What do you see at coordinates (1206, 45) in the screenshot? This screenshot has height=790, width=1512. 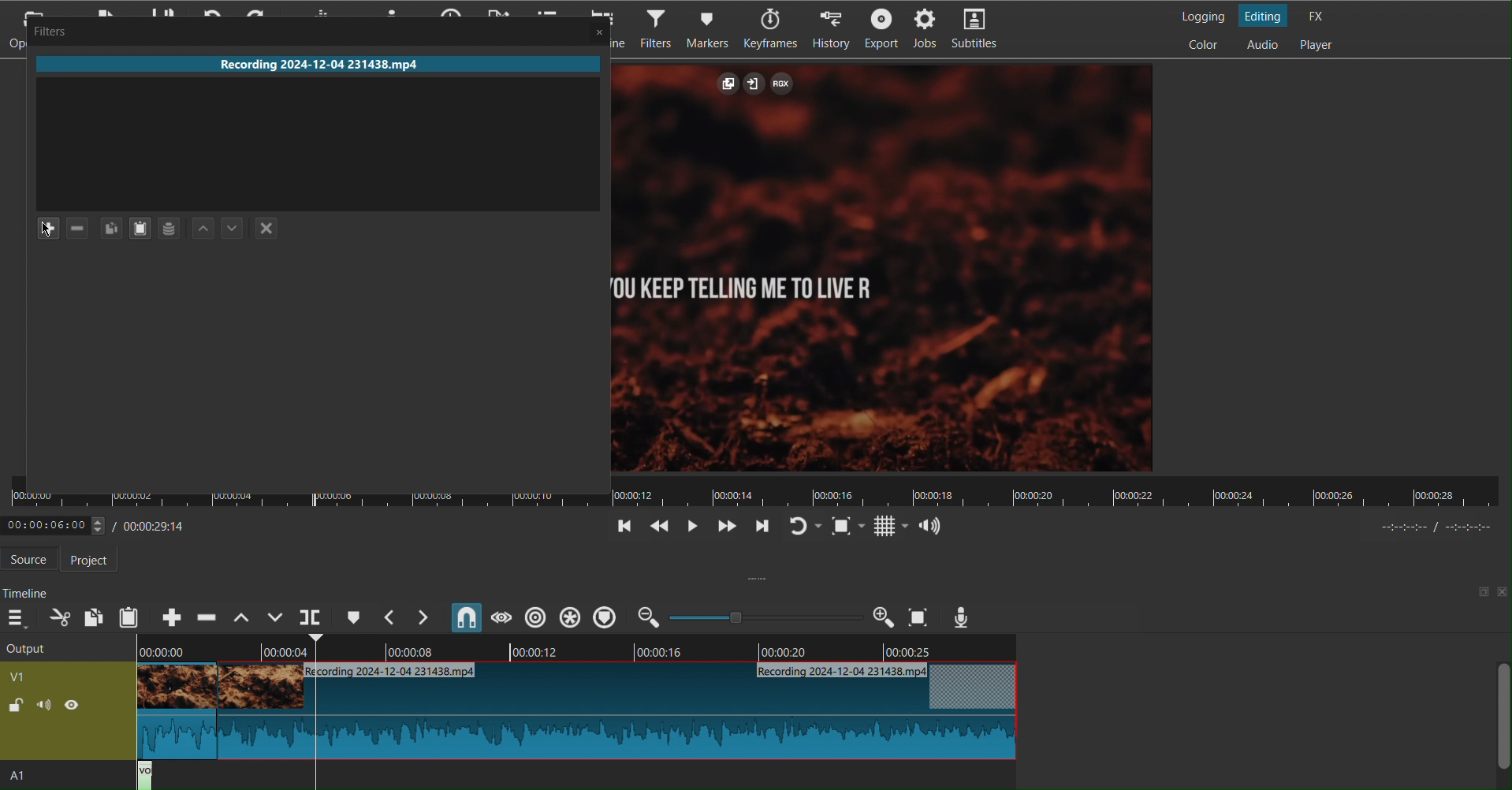 I see `Color` at bounding box center [1206, 45].